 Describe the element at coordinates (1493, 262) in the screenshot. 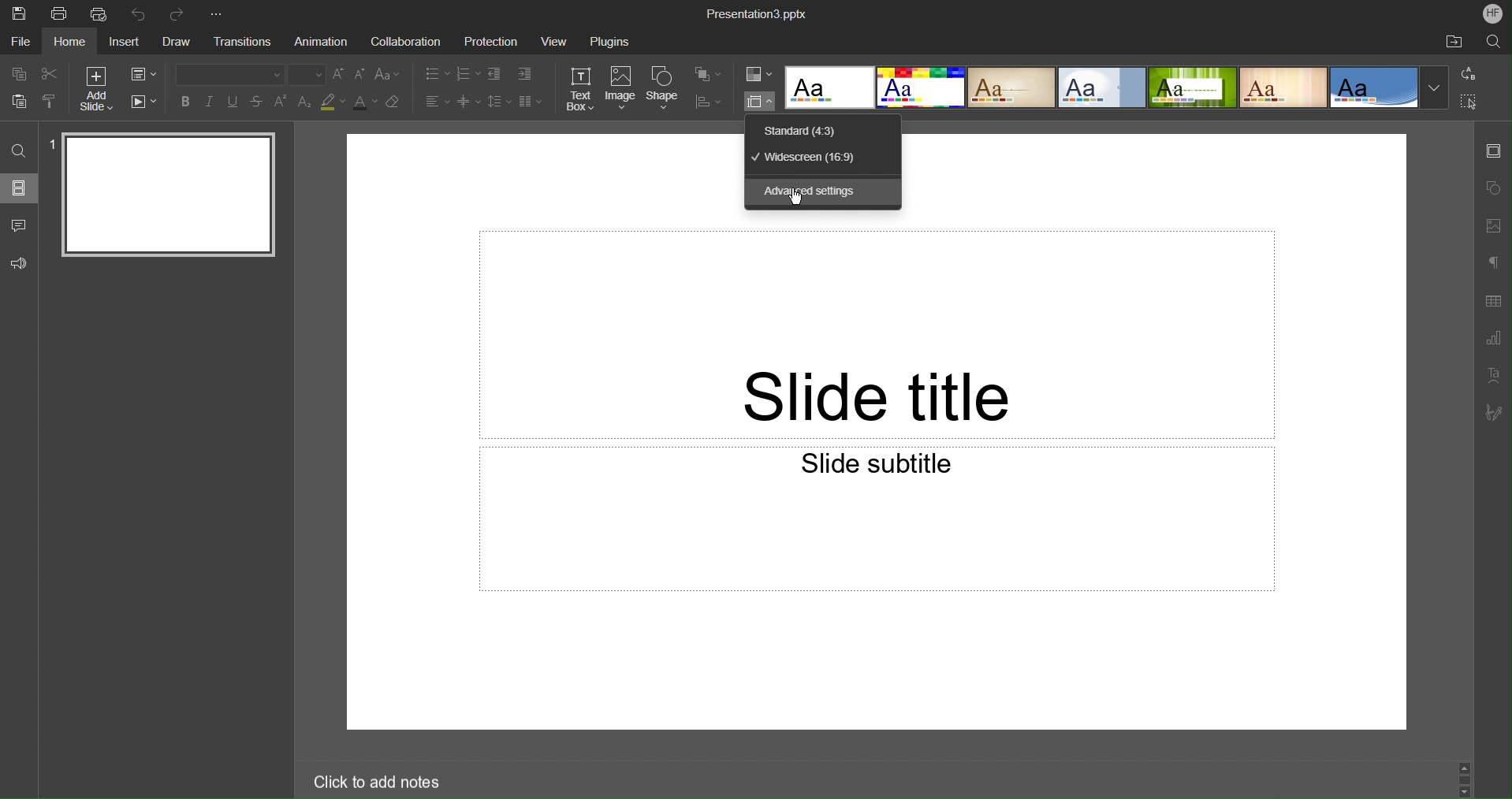

I see `Non-Printing Characters` at that location.